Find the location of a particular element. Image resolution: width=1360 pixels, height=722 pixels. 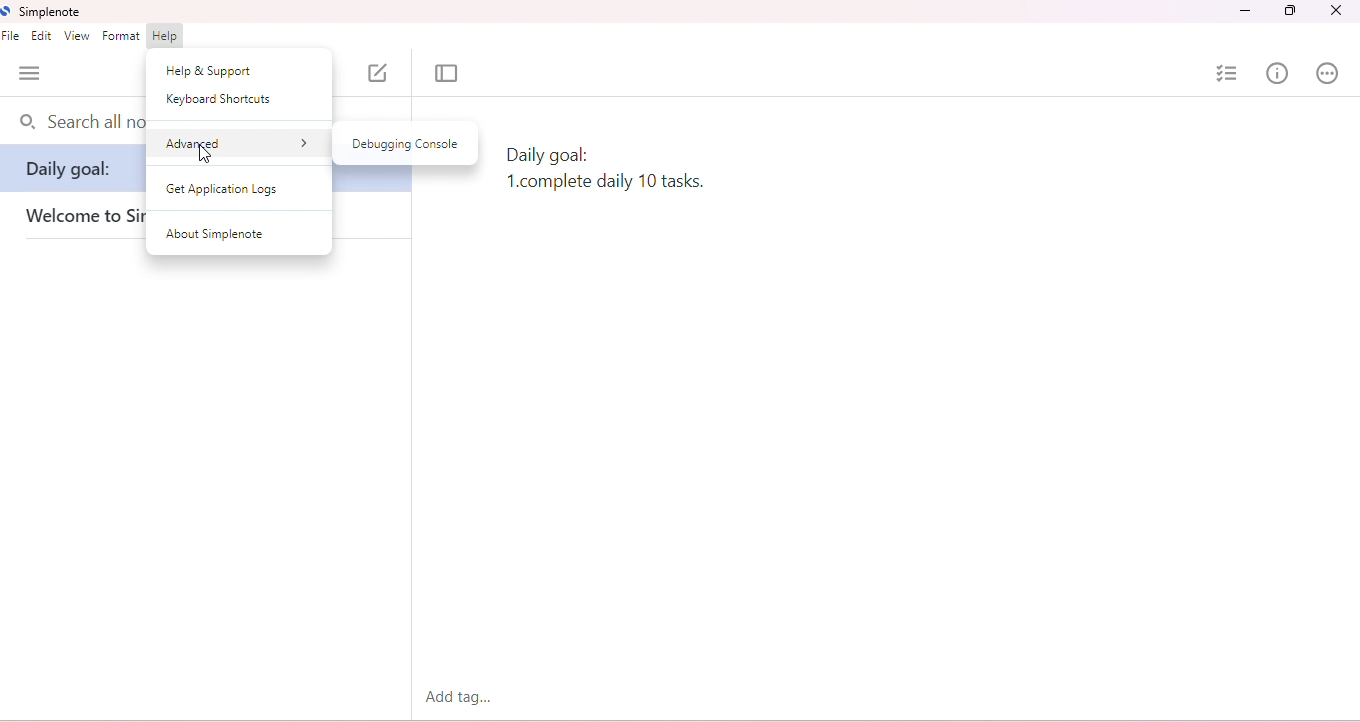

add tag is located at coordinates (462, 697).